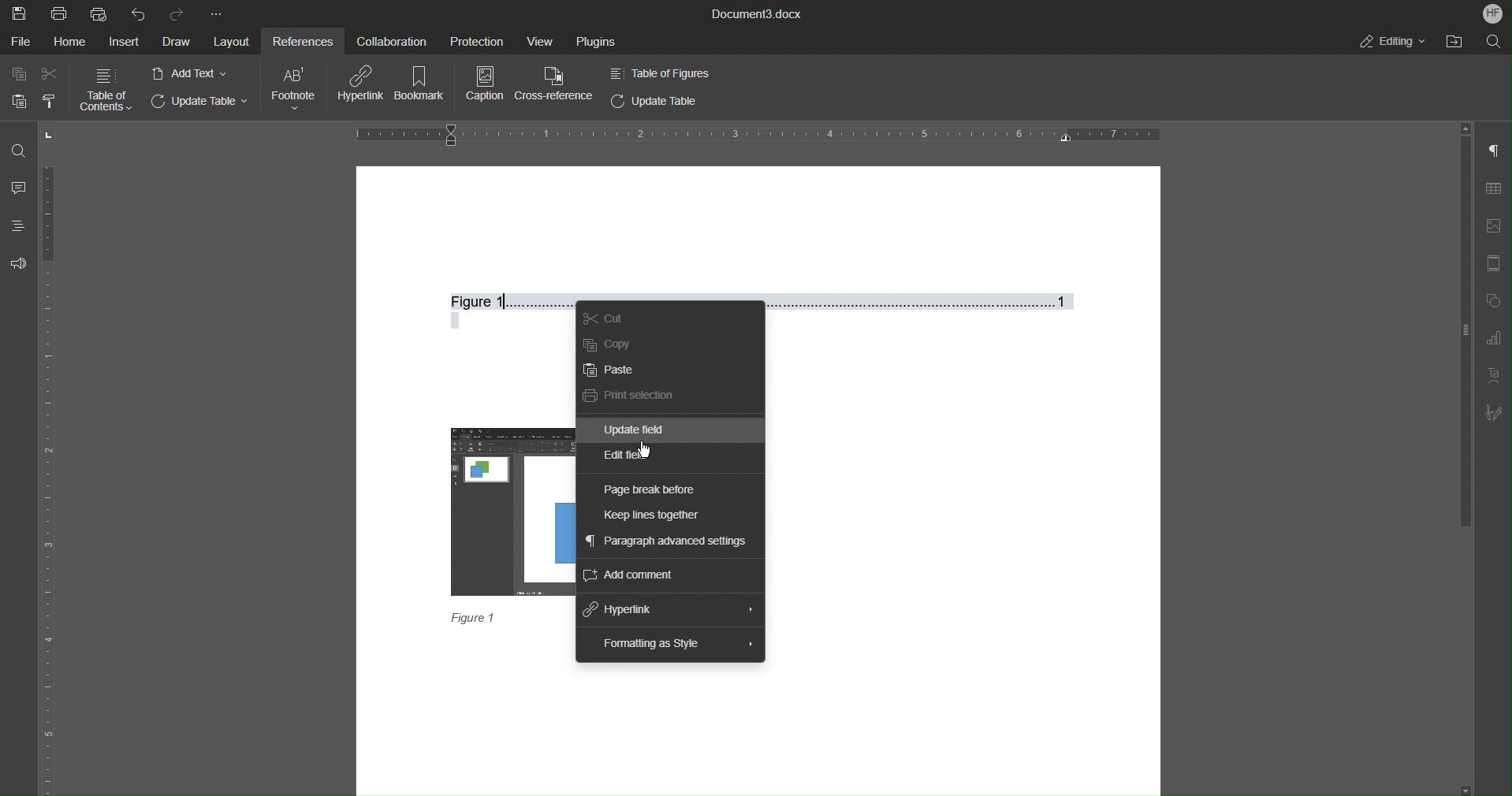 The height and width of the screenshot is (796, 1512). I want to click on Hyperlink, so click(363, 85).